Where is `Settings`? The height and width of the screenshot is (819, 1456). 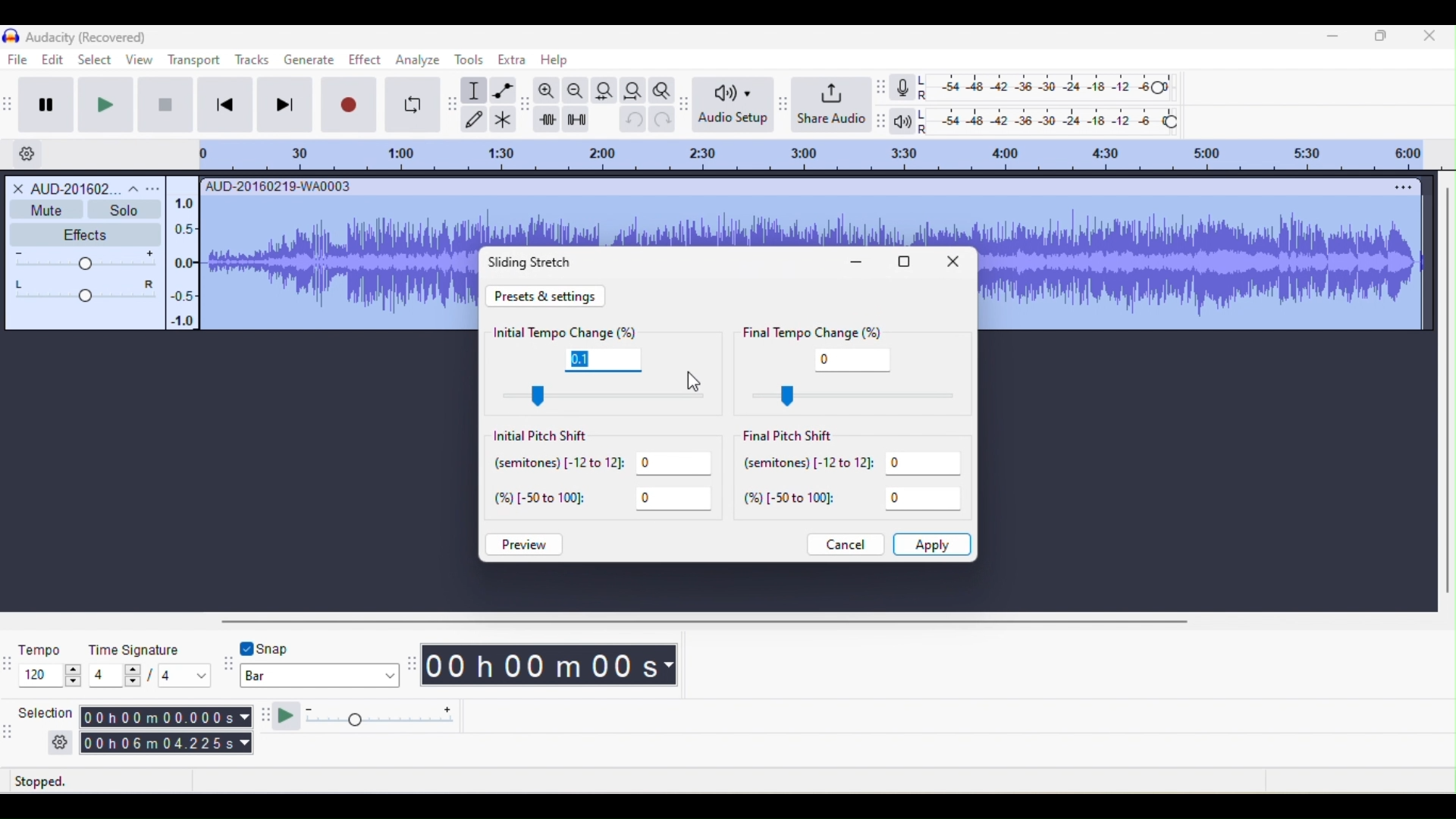 Settings is located at coordinates (27, 152).